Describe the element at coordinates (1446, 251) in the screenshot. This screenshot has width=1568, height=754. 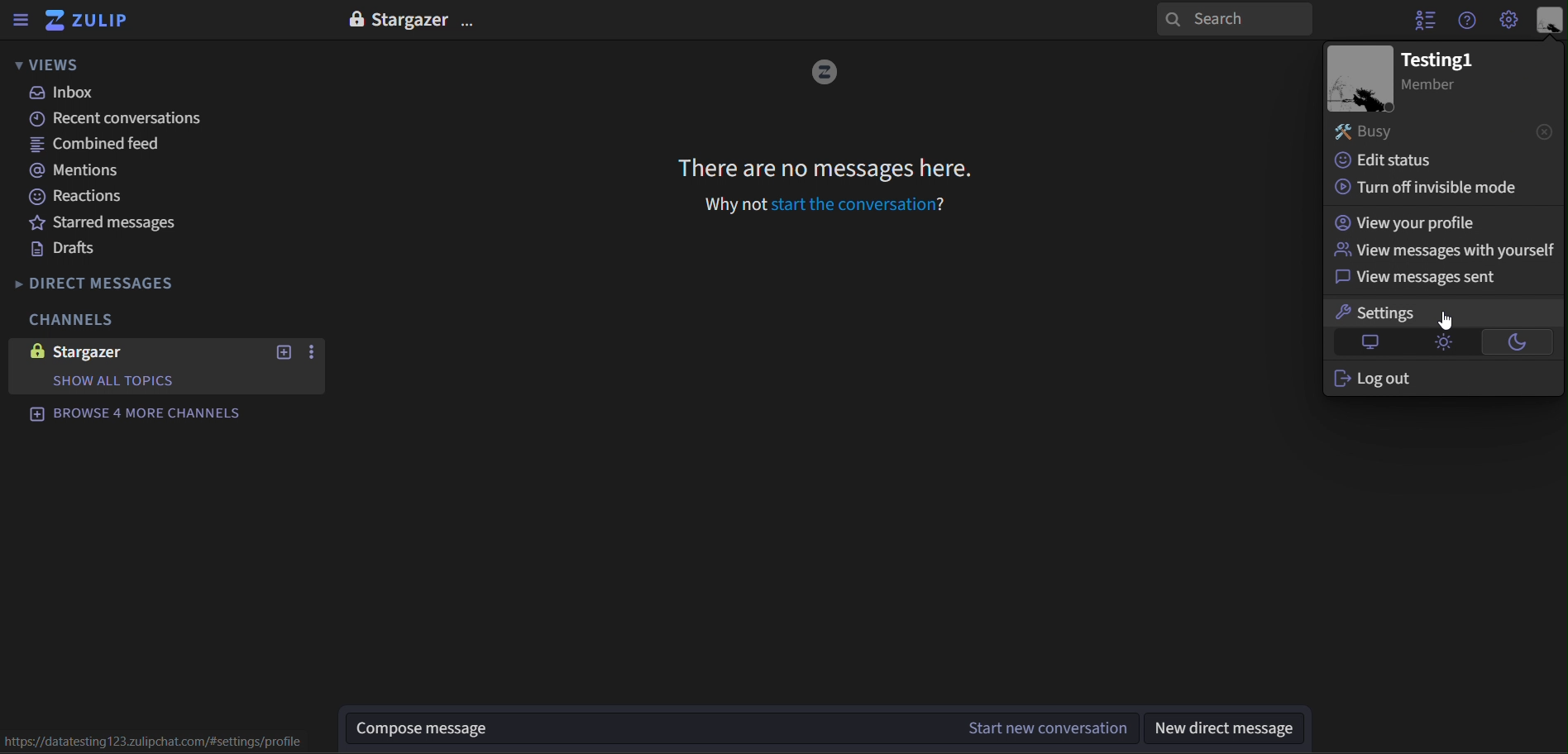
I see `view messages with yourself` at that location.